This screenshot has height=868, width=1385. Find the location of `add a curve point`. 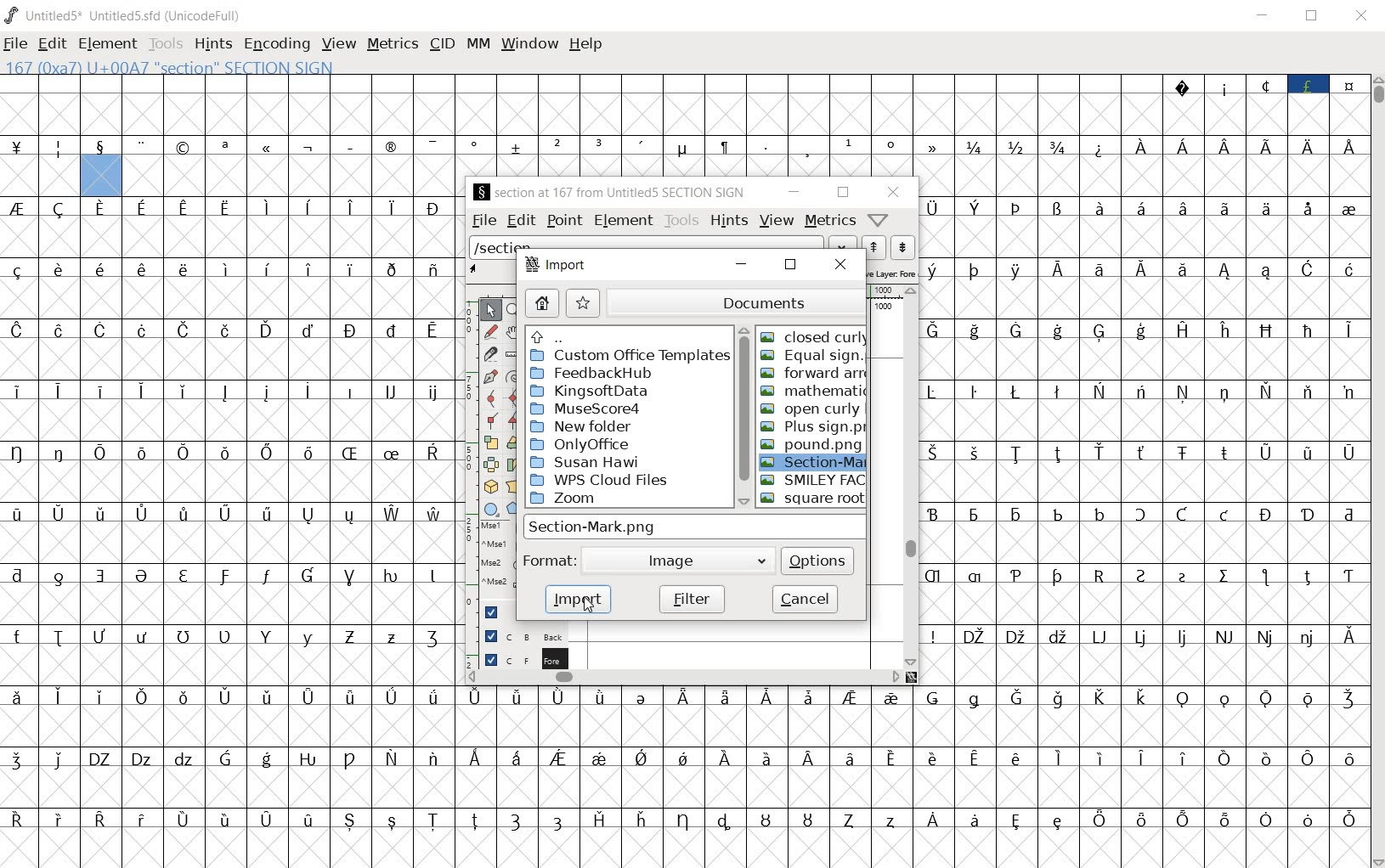

add a curve point is located at coordinates (490, 397).